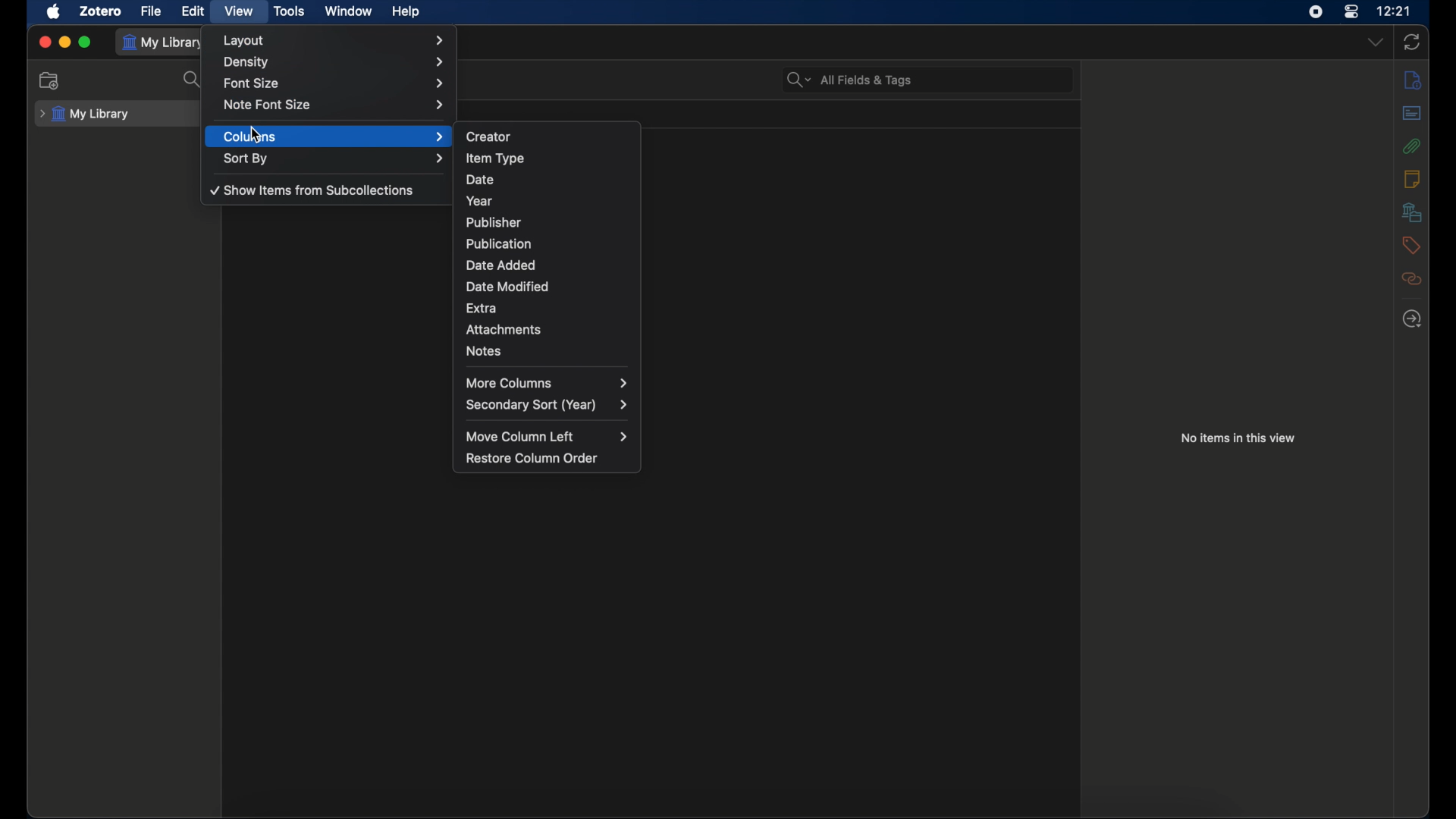  What do you see at coordinates (850, 80) in the screenshot?
I see `search bar` at bounding box center [850, 80].